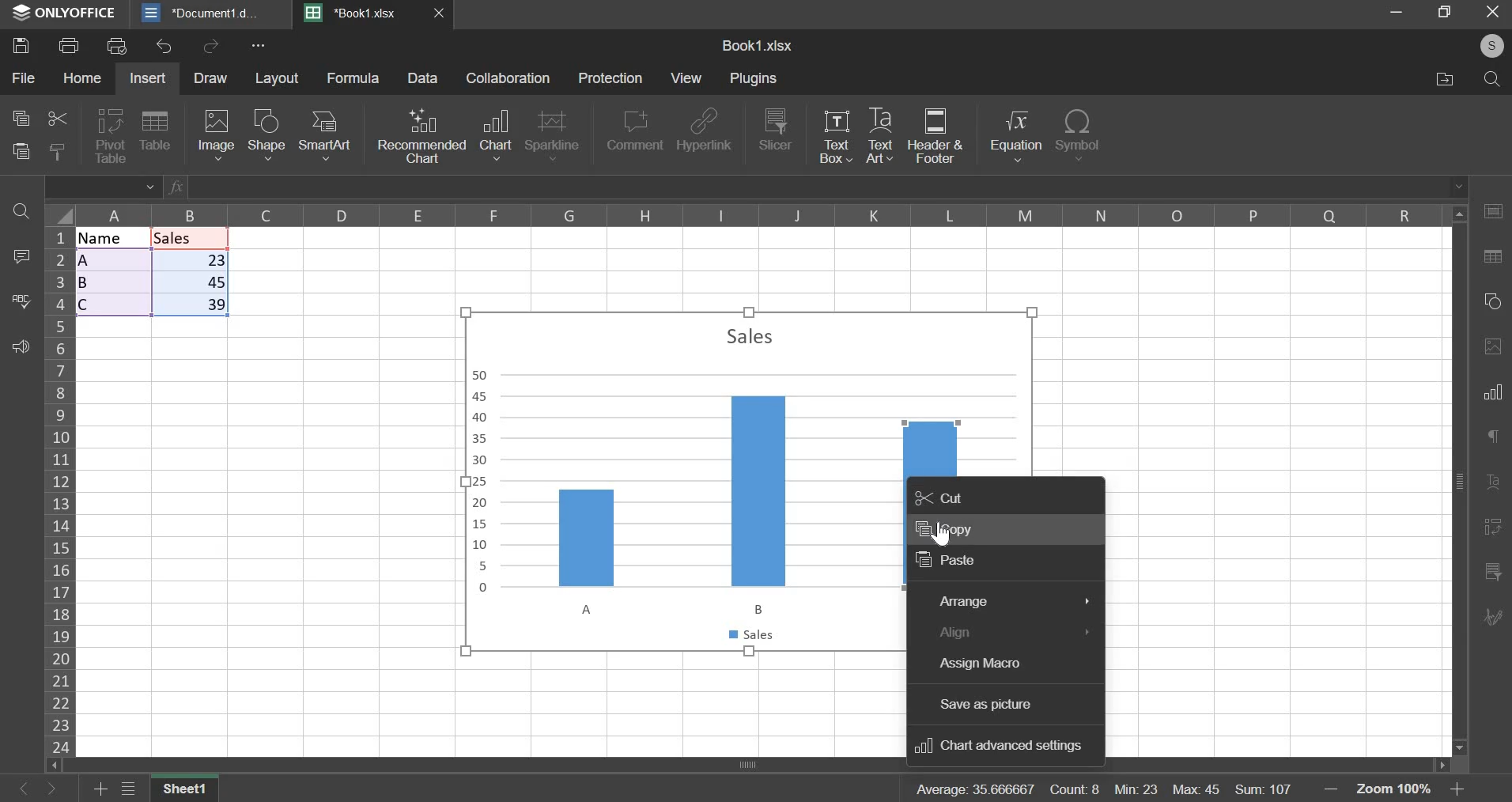  Describe the element at coordinates (24, 259) in the screenshot. I see `comment` at that location.